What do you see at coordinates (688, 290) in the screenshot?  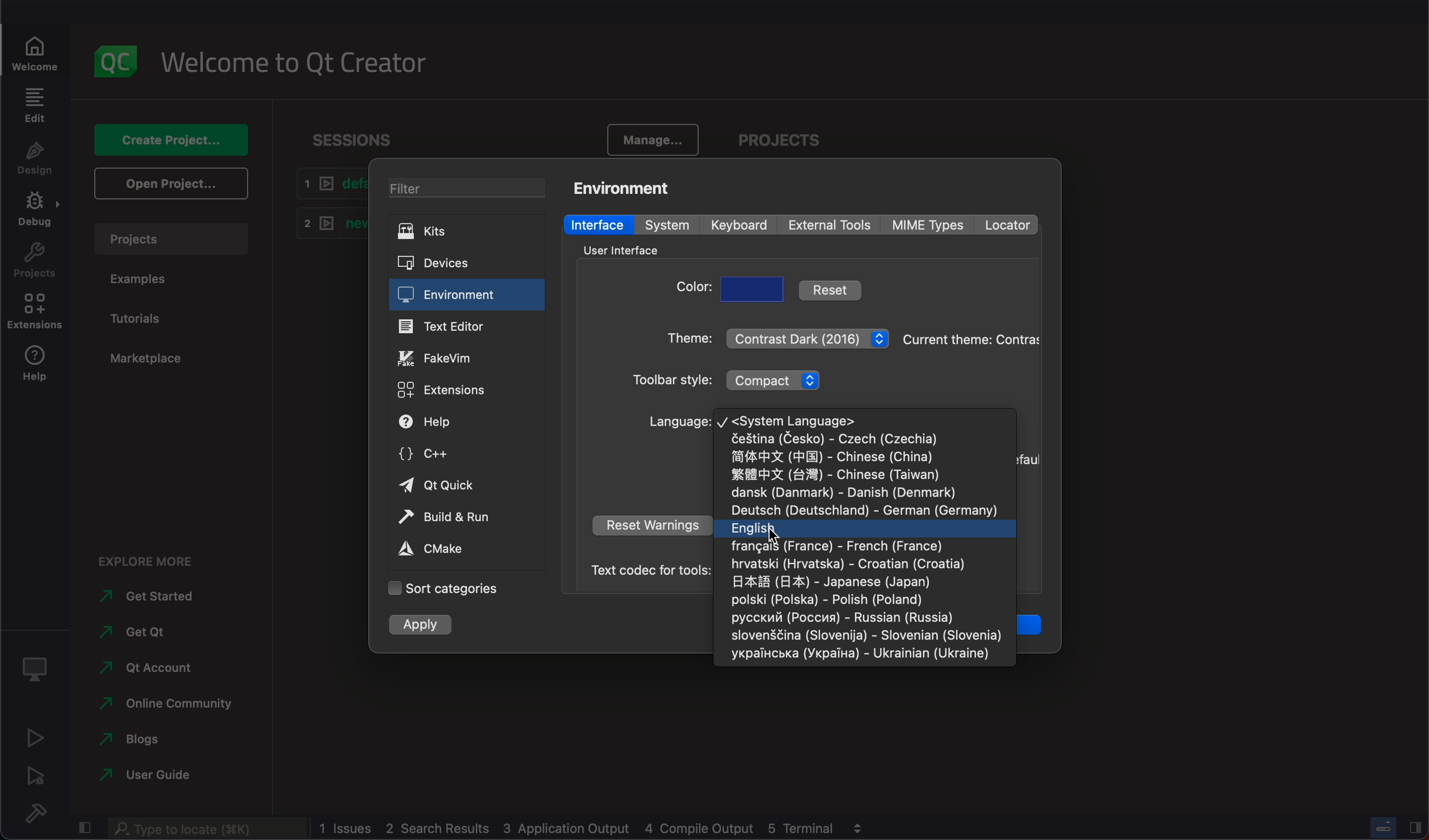 I see `color` at bounding box center [688, 290].